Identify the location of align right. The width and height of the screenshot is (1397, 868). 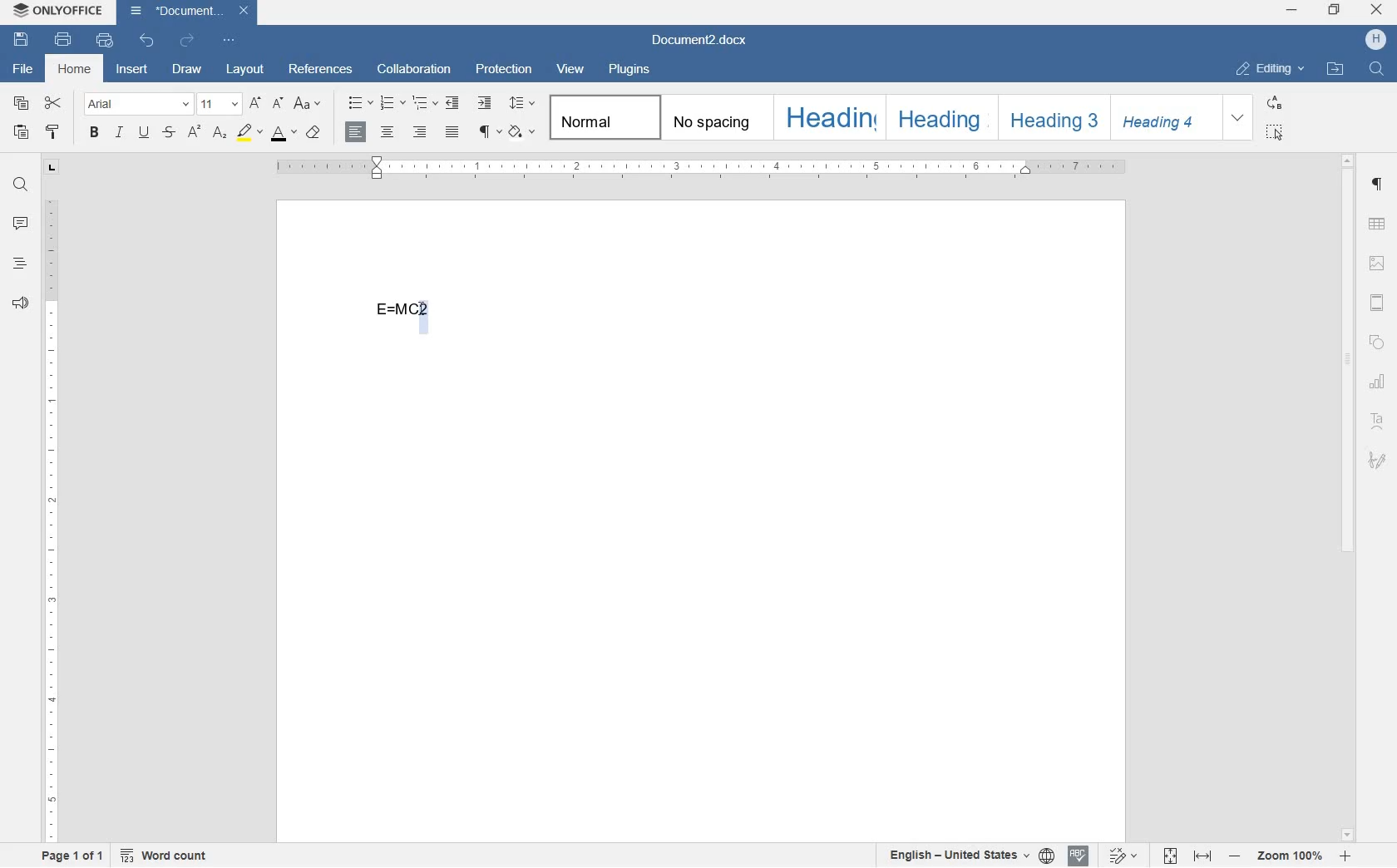
(419, 133).